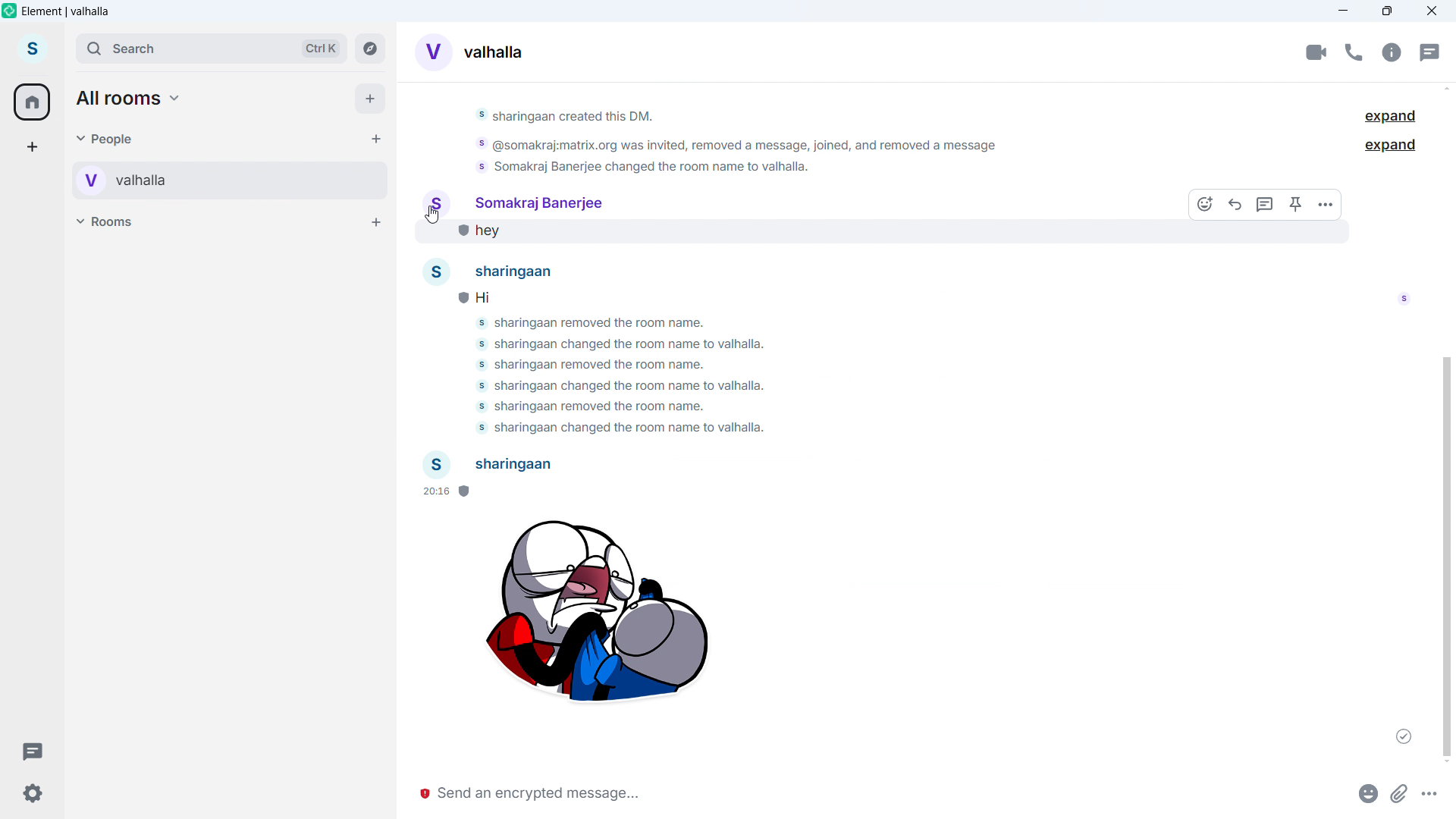 This screenshot has width=1456, height=819. Describe the element at coordinates (108, 221) in the screenshot. I see `Rooms ` at that location.